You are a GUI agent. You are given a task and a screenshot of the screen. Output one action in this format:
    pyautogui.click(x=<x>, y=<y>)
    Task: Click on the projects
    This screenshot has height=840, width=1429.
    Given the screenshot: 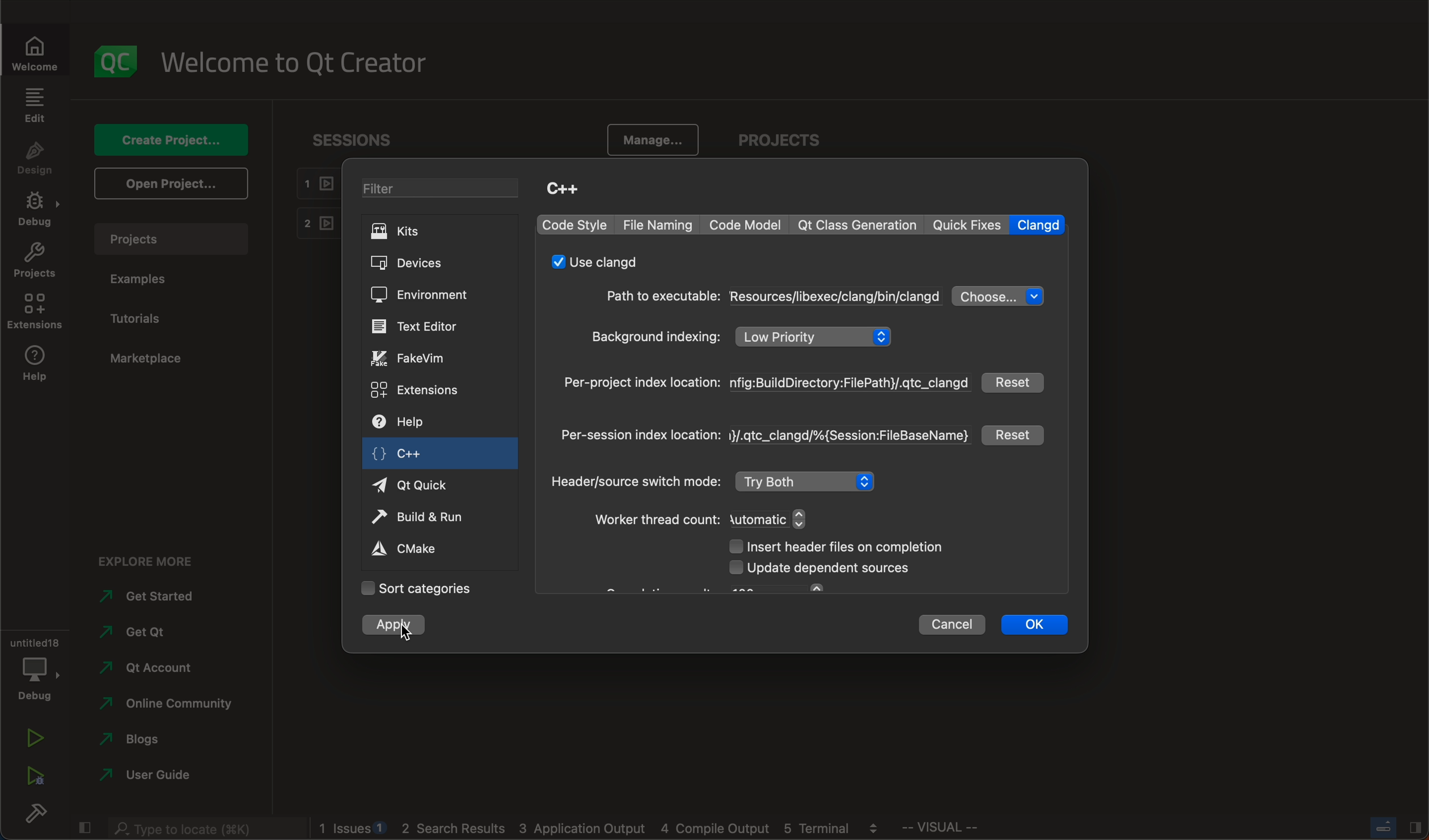 What is the action you would take?
    pyautogui.click(x=174, y=239)
    